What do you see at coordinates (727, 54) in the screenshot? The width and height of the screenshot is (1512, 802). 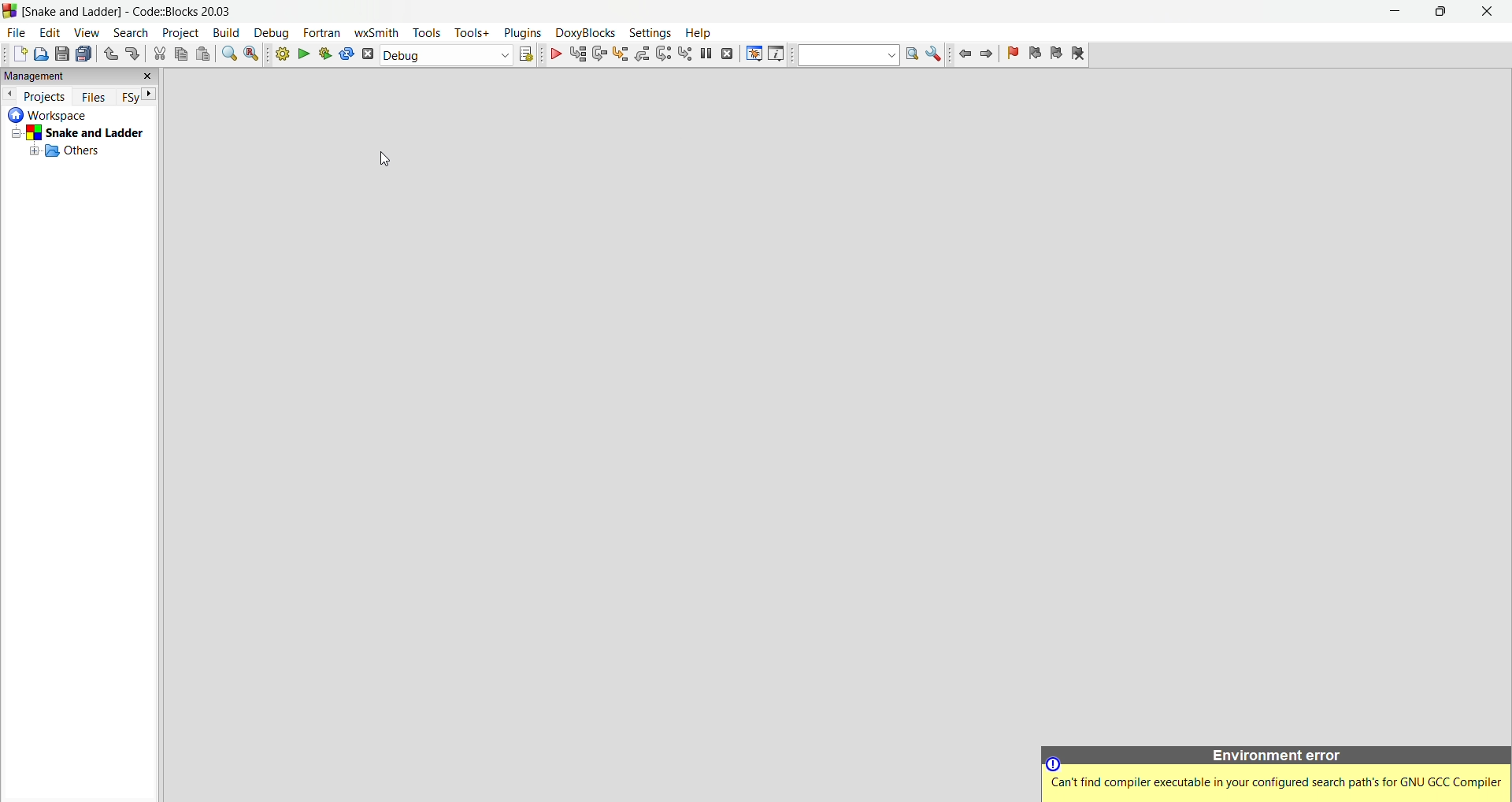 I see `stop debugger` at bounding box center [727, 54].